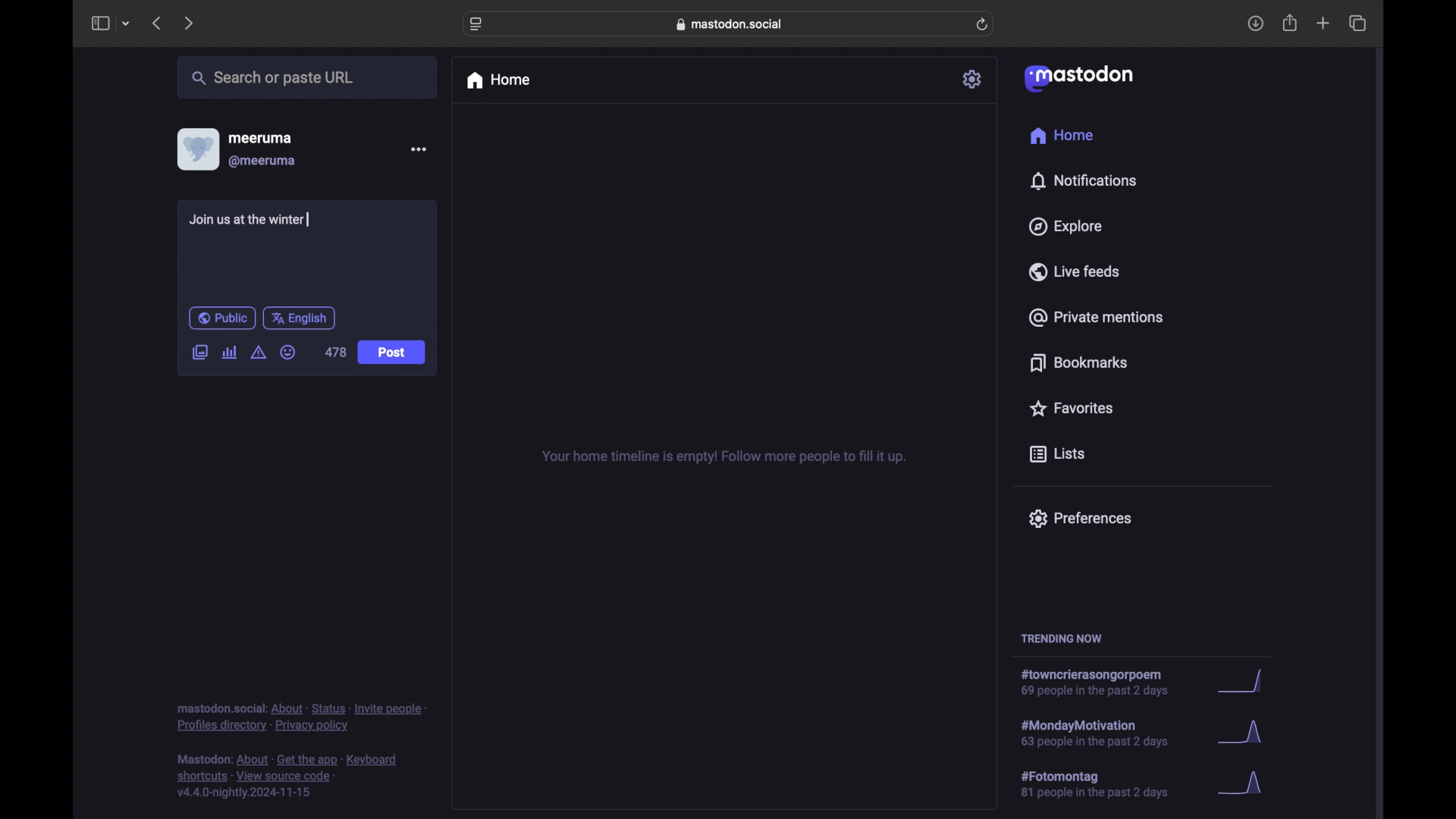 The image size is (1456, 819). I want to click on favorites, so click(1070, 408).